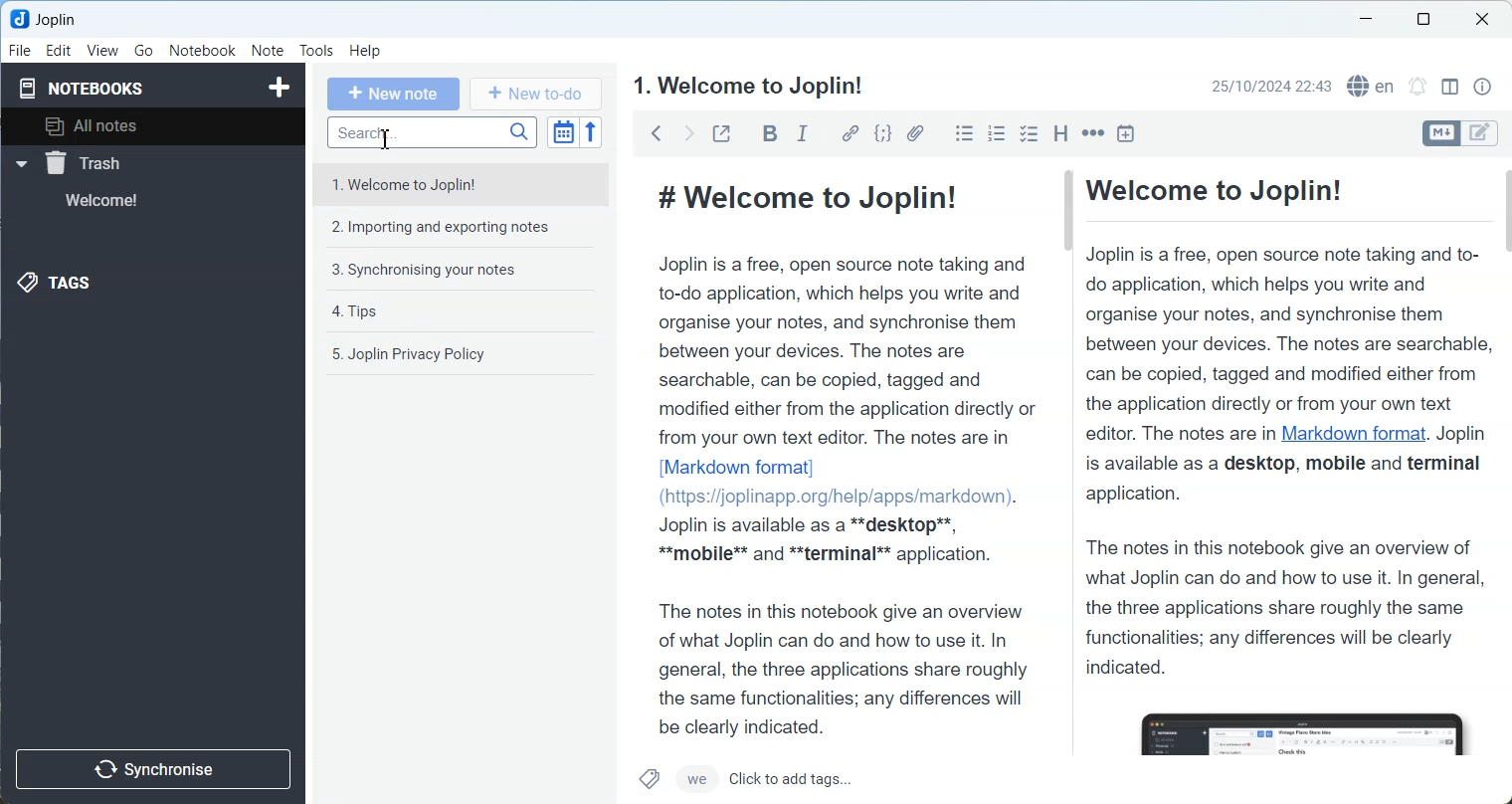 The image size is (1512, 804). Describe the element at coordinates (203, 50) in the screenshot. I see `Notebook` at that location.